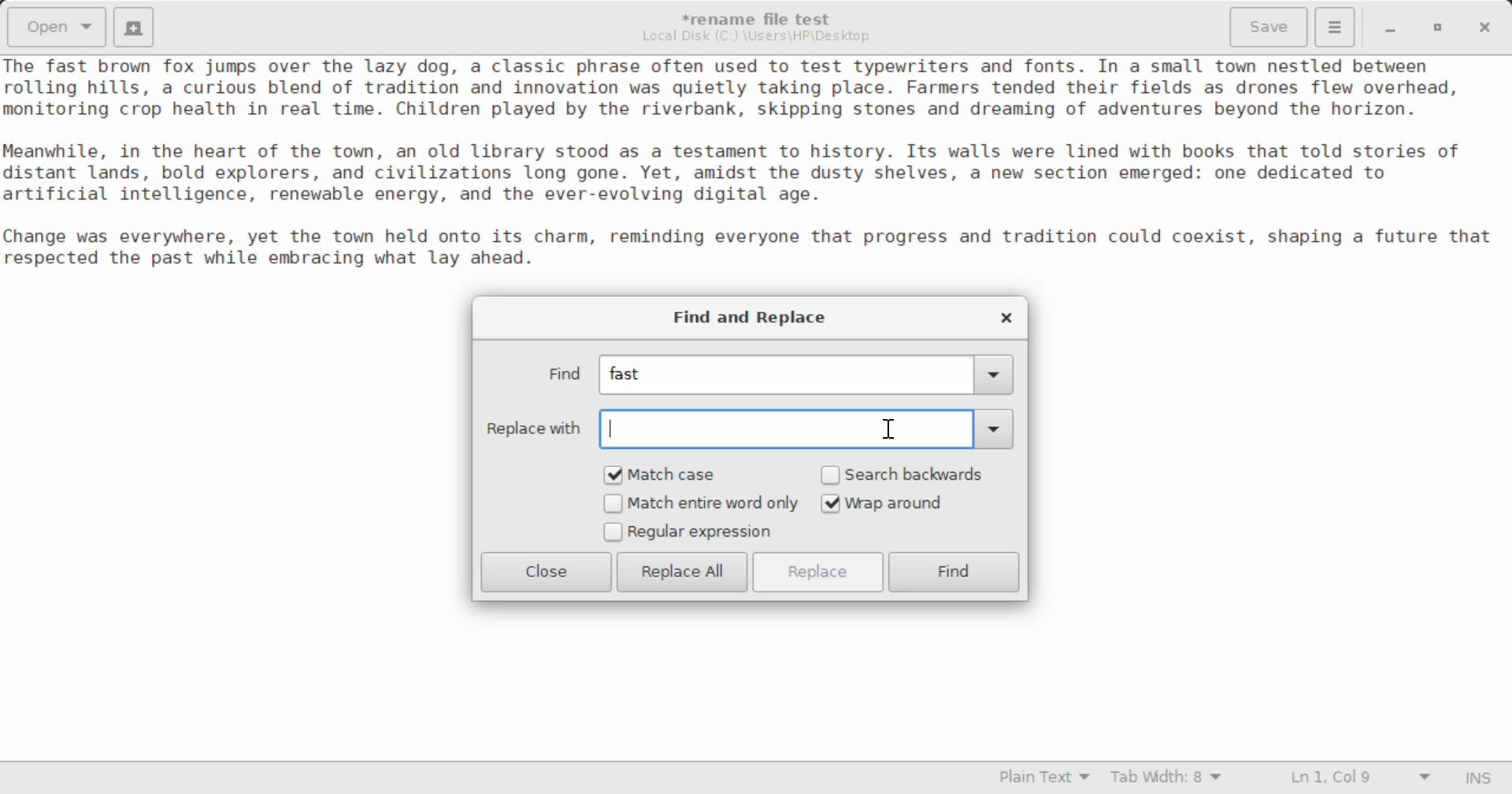 The height and width of the screenshot is (794, 1512). What do you see at coordinates (885, 430) in the screenshot?
I see `Cursor Position` at bounding box center [885, 430].